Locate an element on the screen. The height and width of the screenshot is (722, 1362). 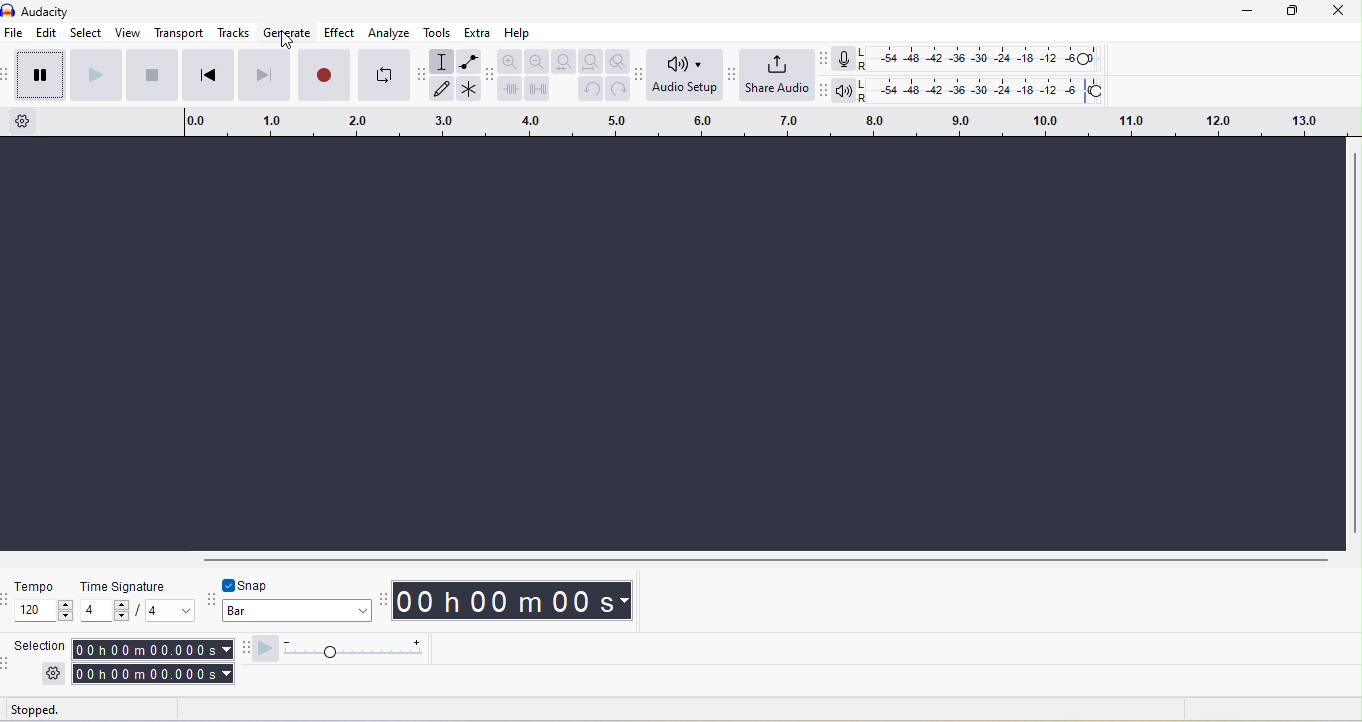
edit is located at coordinates (46, 34).